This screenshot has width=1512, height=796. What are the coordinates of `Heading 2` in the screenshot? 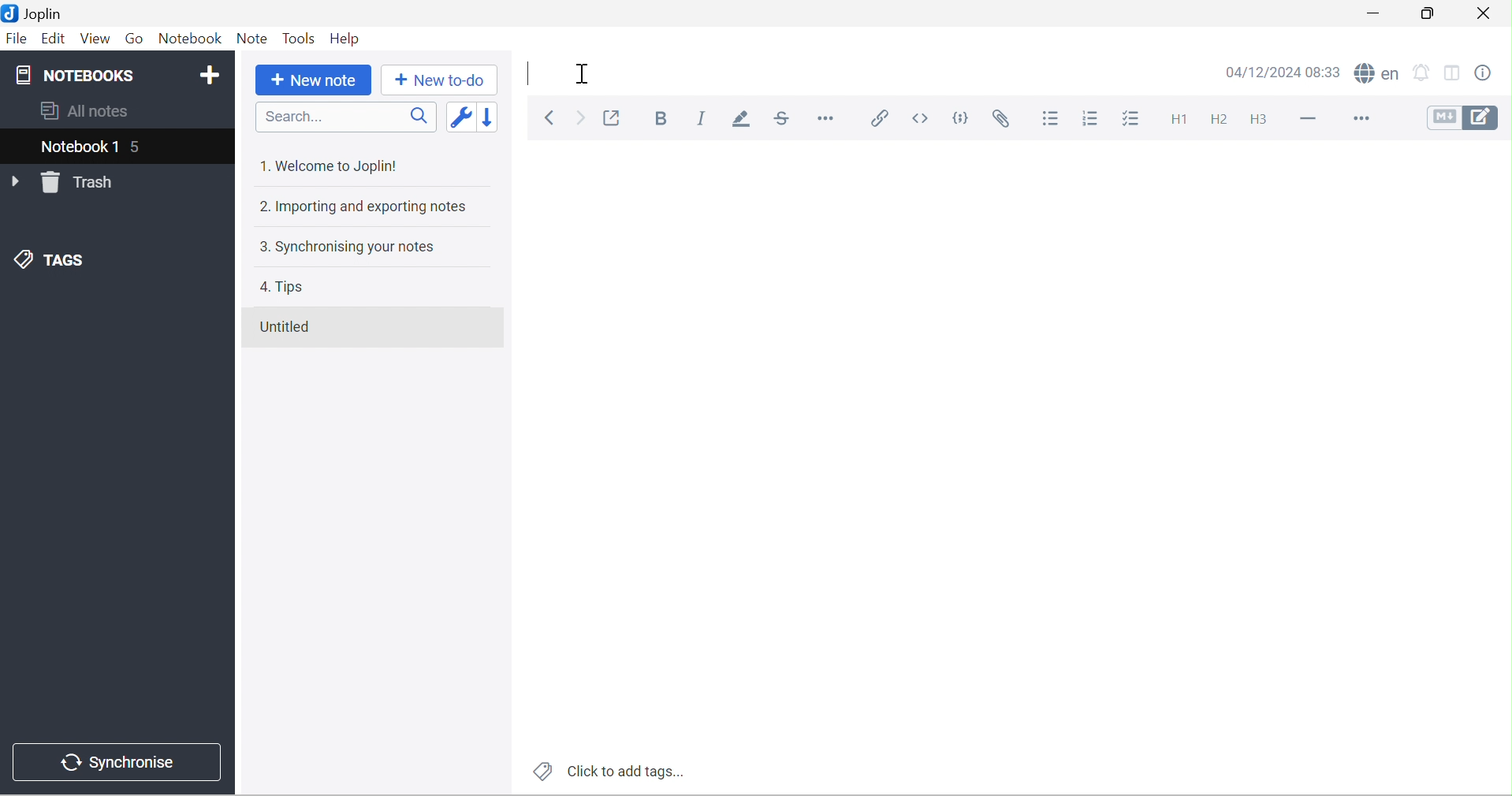 It's located at (1221, 120).